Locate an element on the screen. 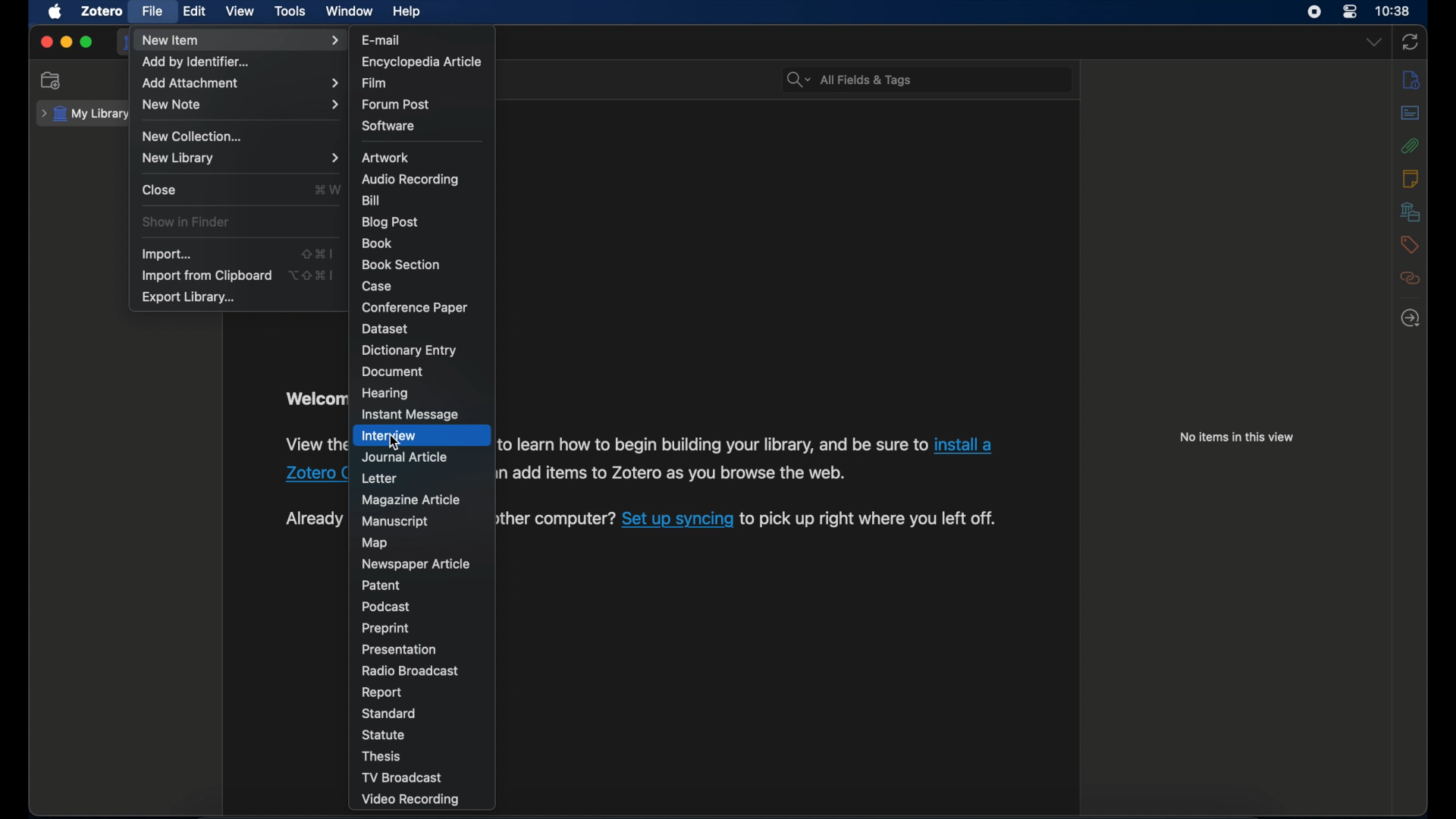  new note is located at coordinates (242, 105).